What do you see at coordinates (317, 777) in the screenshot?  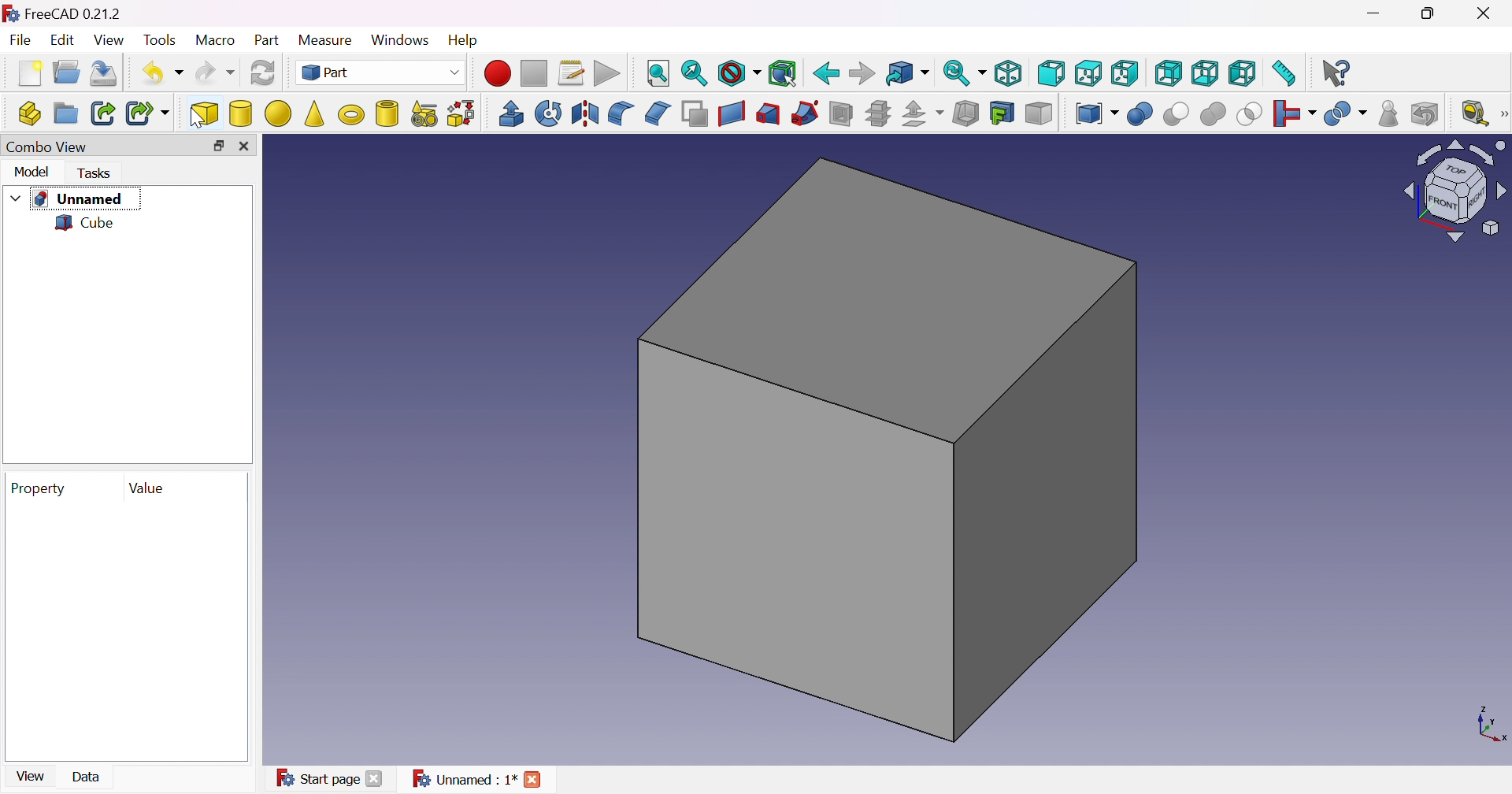 I see `Start page` at bounding box center [317, 777].